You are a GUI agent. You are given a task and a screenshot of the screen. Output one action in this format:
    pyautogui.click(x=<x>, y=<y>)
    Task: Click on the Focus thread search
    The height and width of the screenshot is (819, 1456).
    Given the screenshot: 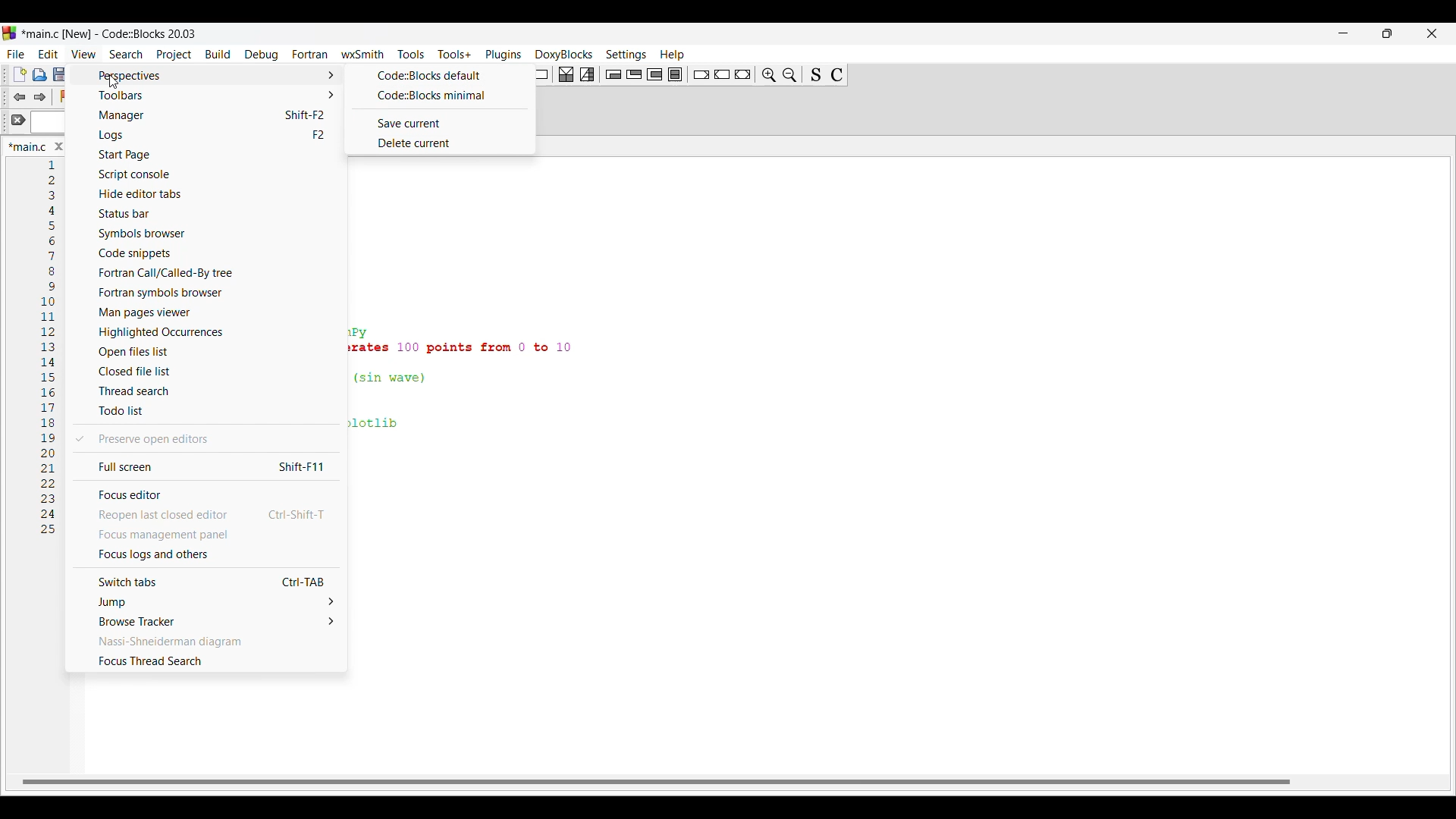 What is the action you would take?
    pyautogui.click(x=205, y=661)
    